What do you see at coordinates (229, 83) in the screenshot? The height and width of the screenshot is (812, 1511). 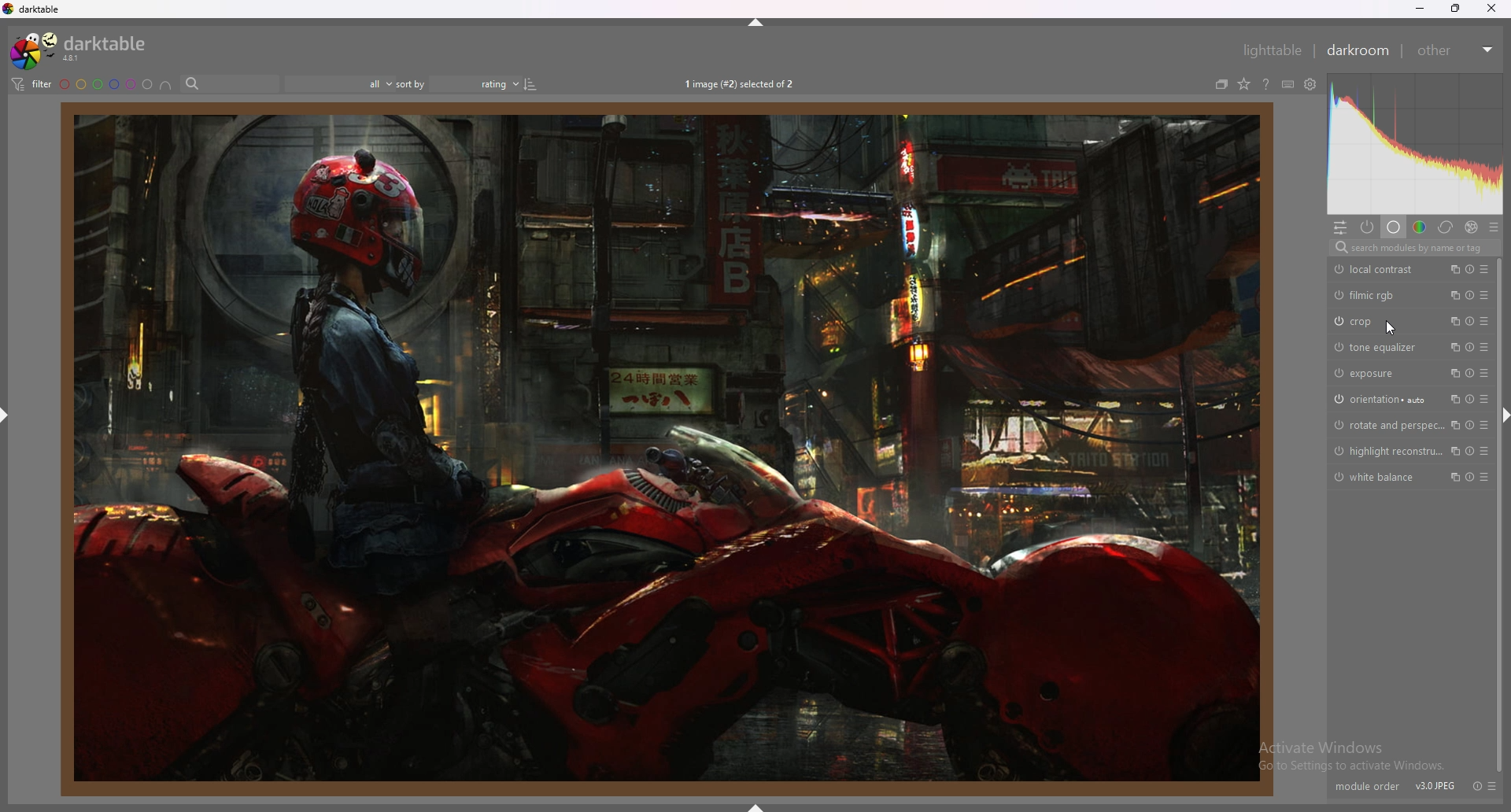 I see `search bar` at bounding box center [229, 83].